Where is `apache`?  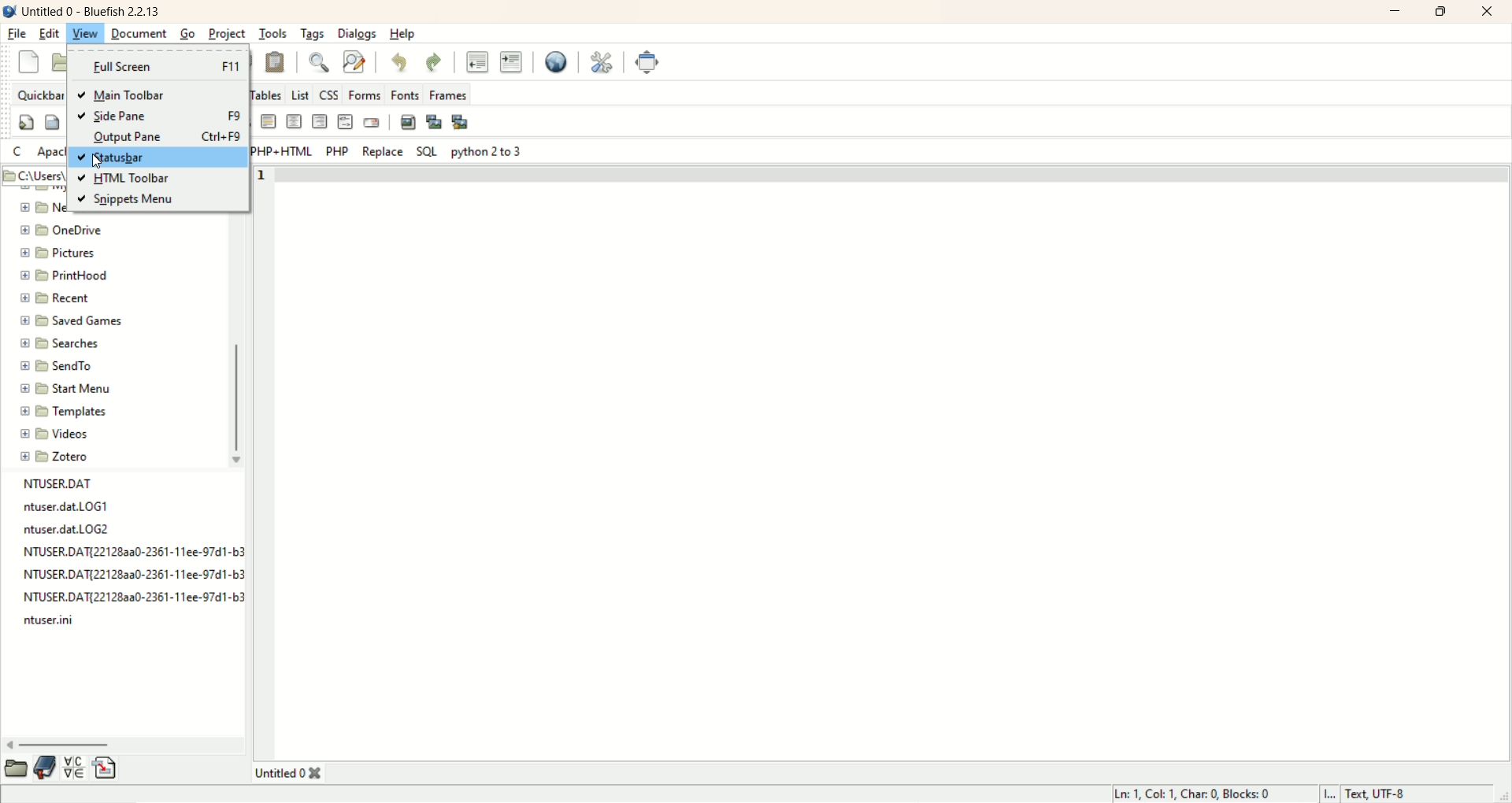 apache is located at coordinates (49, 151).